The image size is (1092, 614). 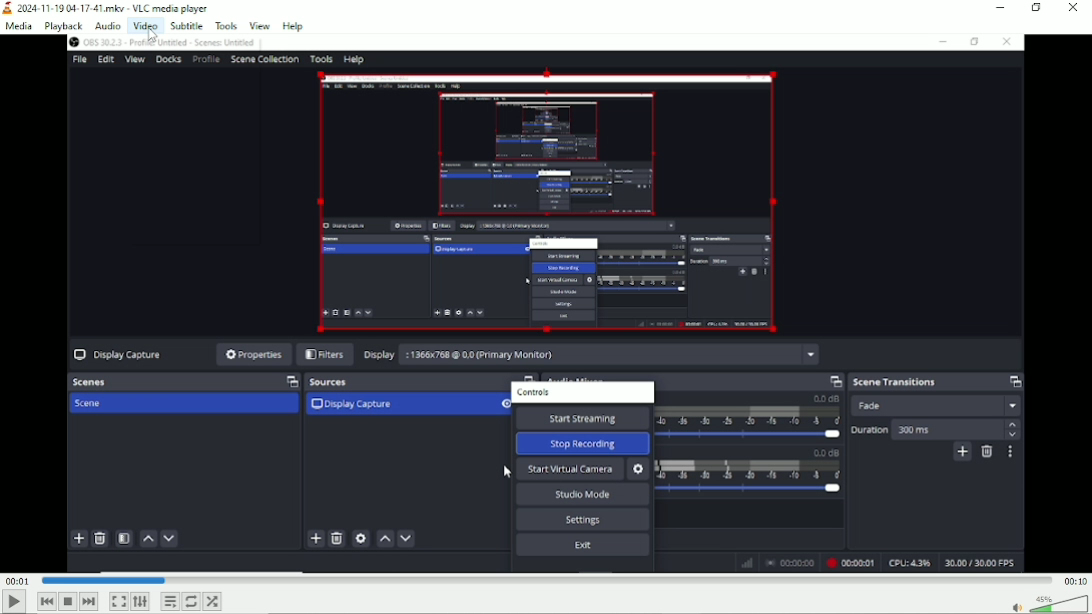 What do you see at coordinates (154, 37) in the screenshot?
I see `Cursor` at bounding box center [154, 37].